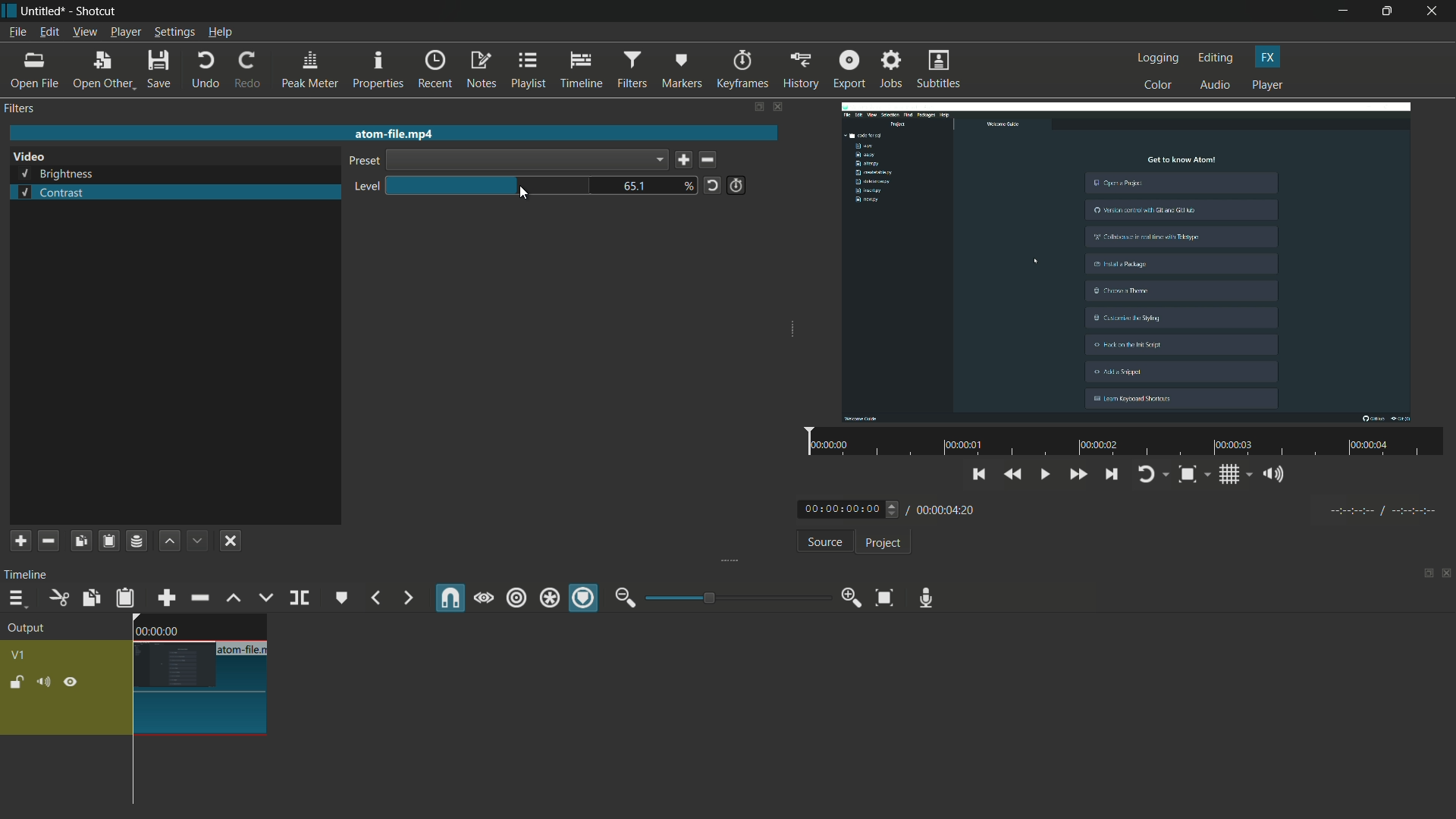  I want to click on logging, so click(1159, 58).